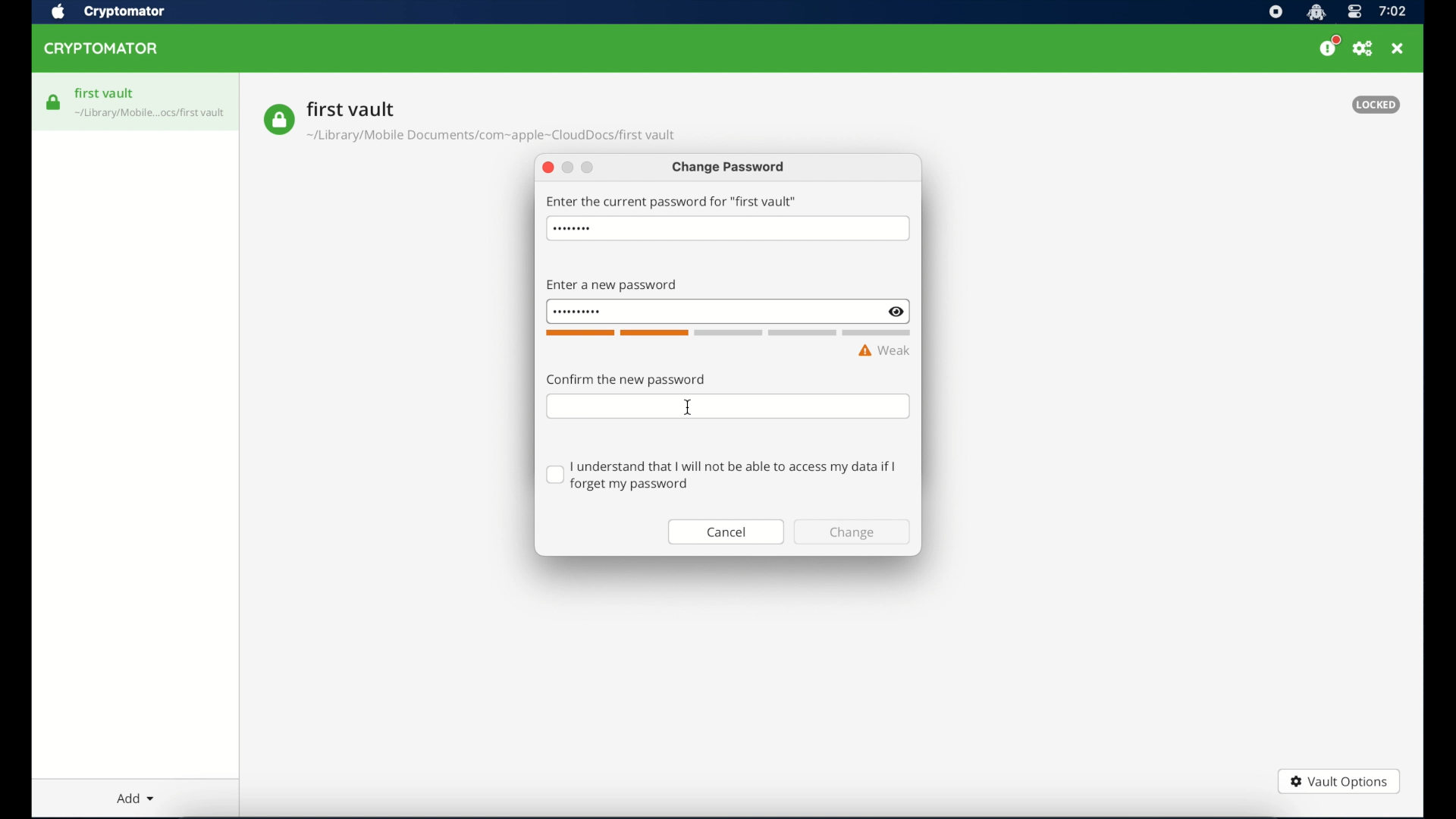 Image resolution: width=1456 pixels, height=819 pixels. I want to click on maimize, so click(587, 168).